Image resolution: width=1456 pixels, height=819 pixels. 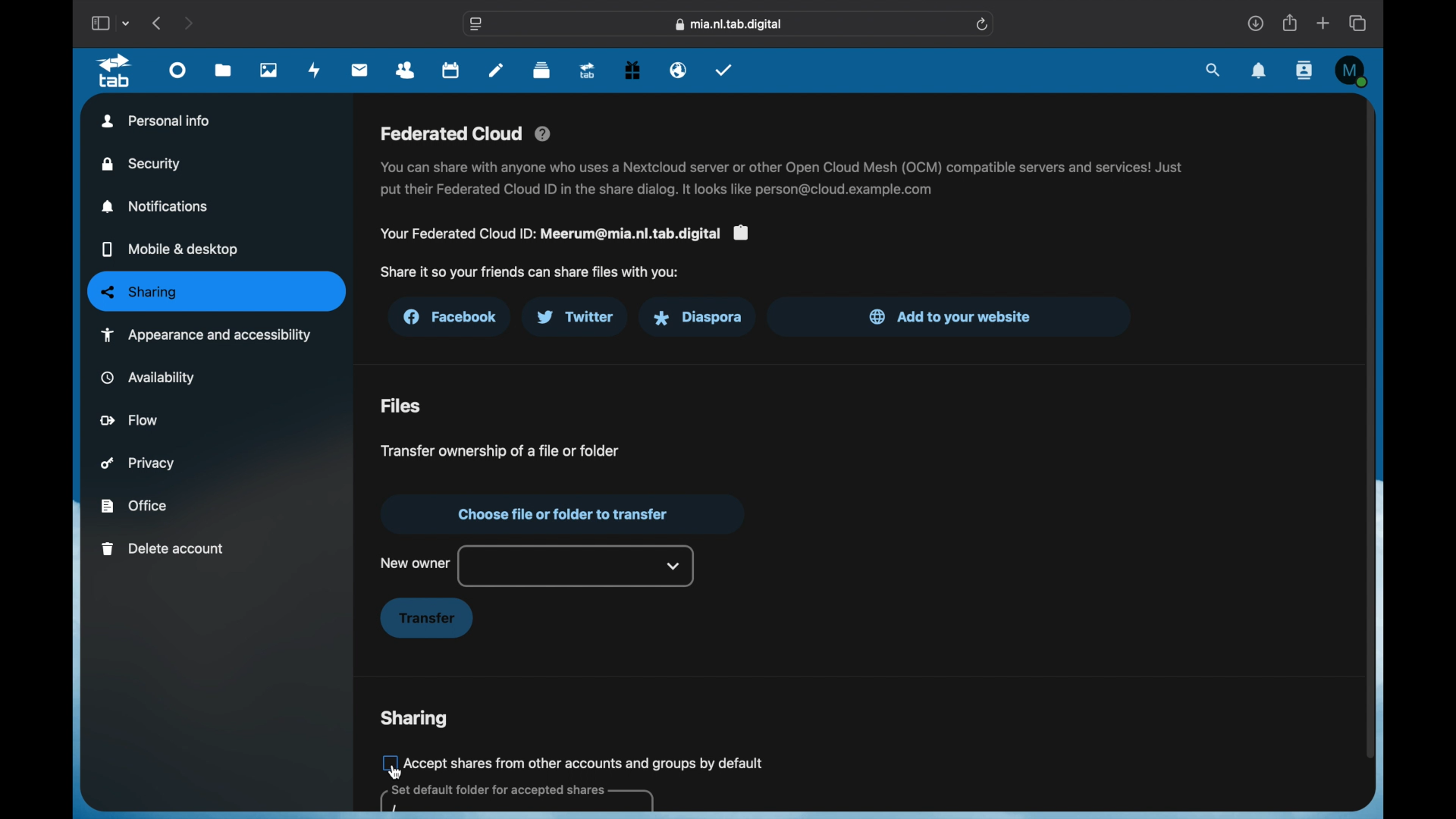 I want to click on availability, so click(x=149, y=377).